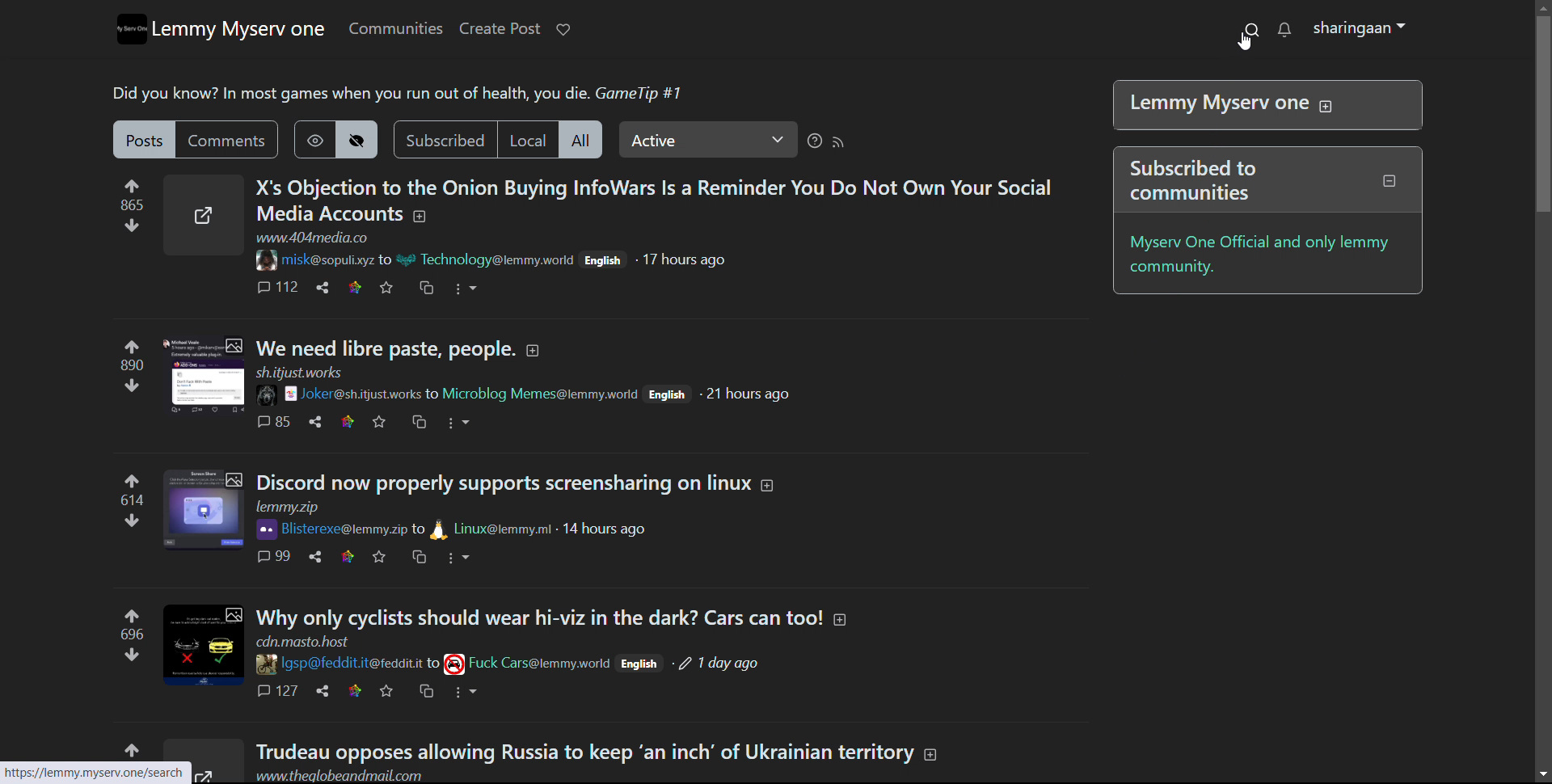 The height and width of the screenshot is (784, 1552). Describe the element at coordinates (1542, 775) in the screenshot. I see `scroll down` at that location.